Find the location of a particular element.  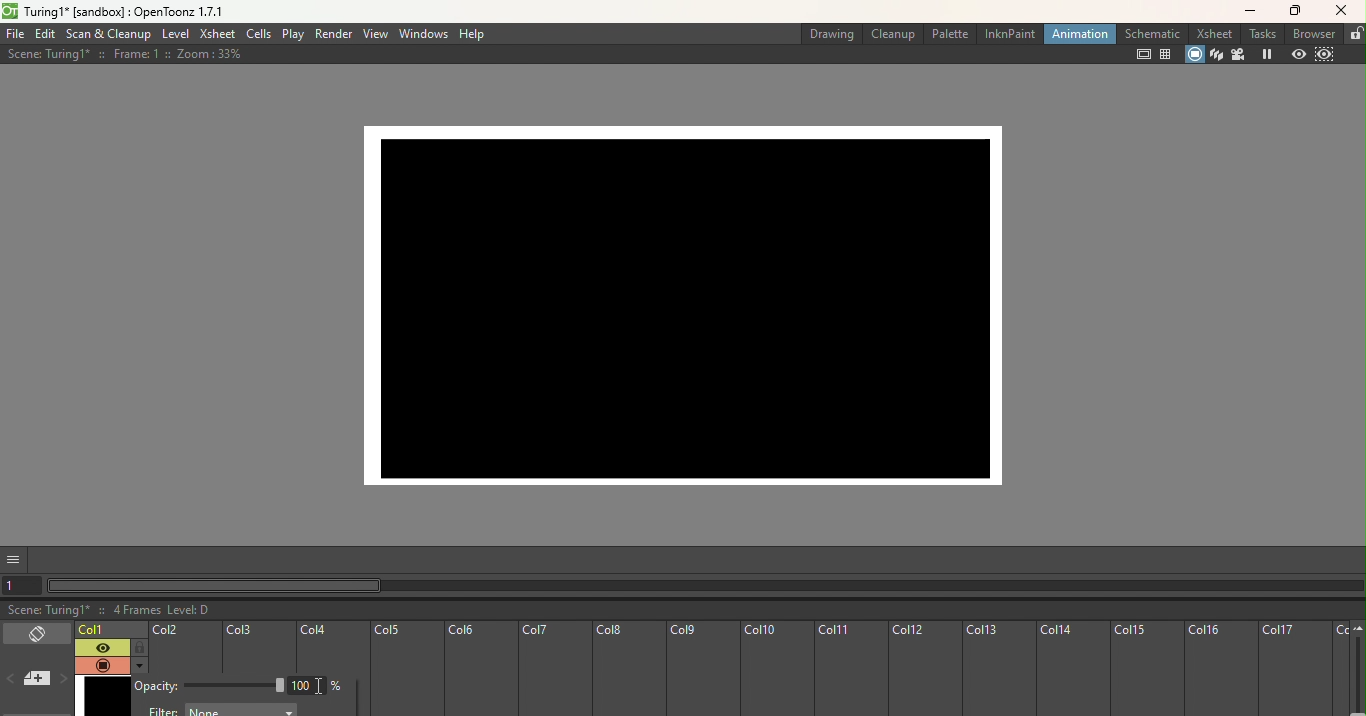

GUI show/hide is located at coordinates (15, 560).